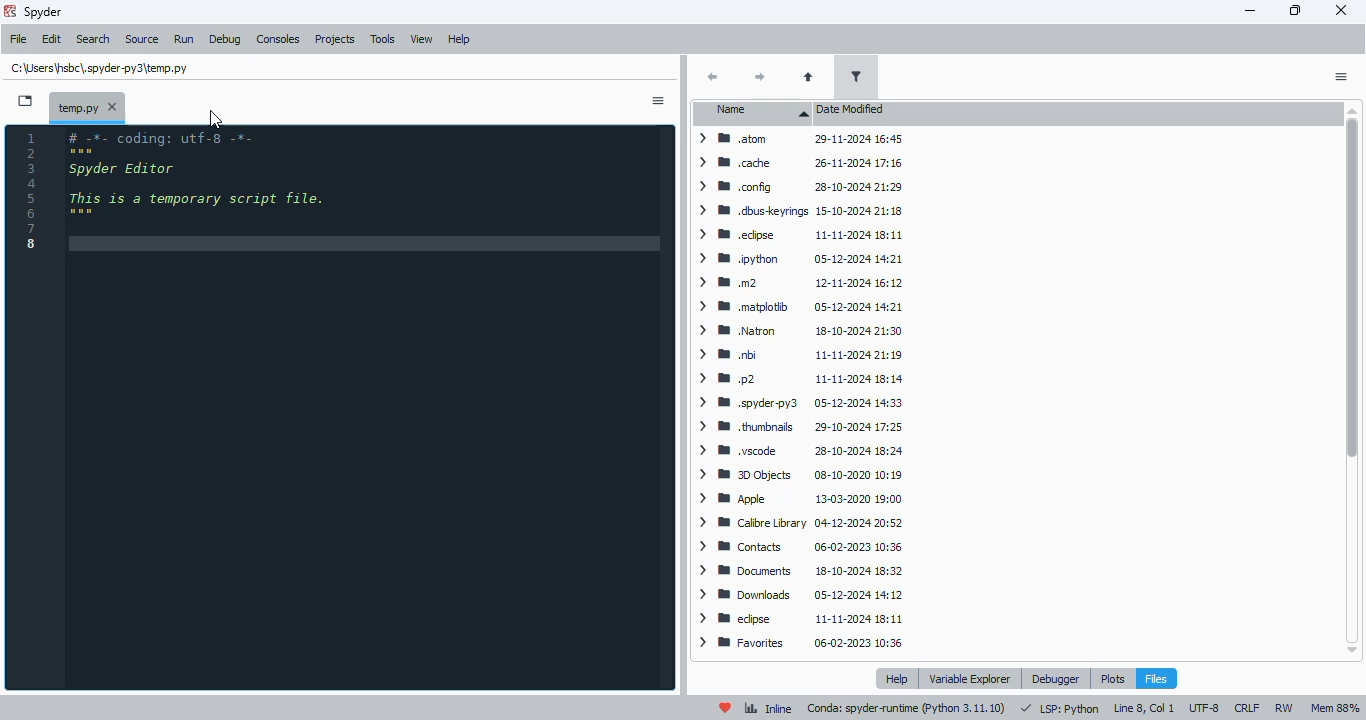  What do you see at coordinates (760, 79) in the screenshot?
I see `next` at bounding box center [760, 79].